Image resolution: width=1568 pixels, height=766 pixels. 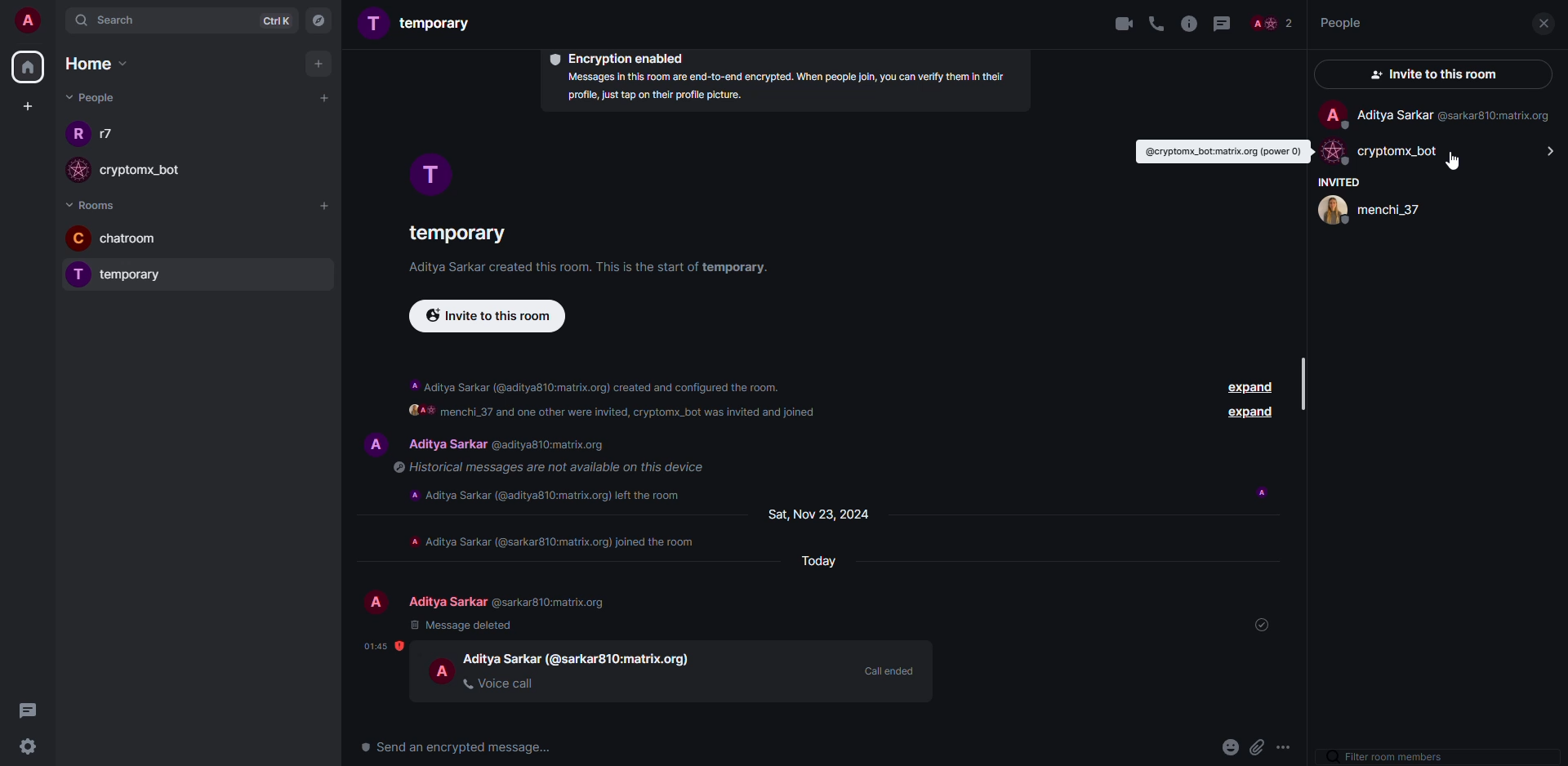 What do you see at coordinates (551, 493) in the screenshot?
I see `info` at bounding box center [551, 493].